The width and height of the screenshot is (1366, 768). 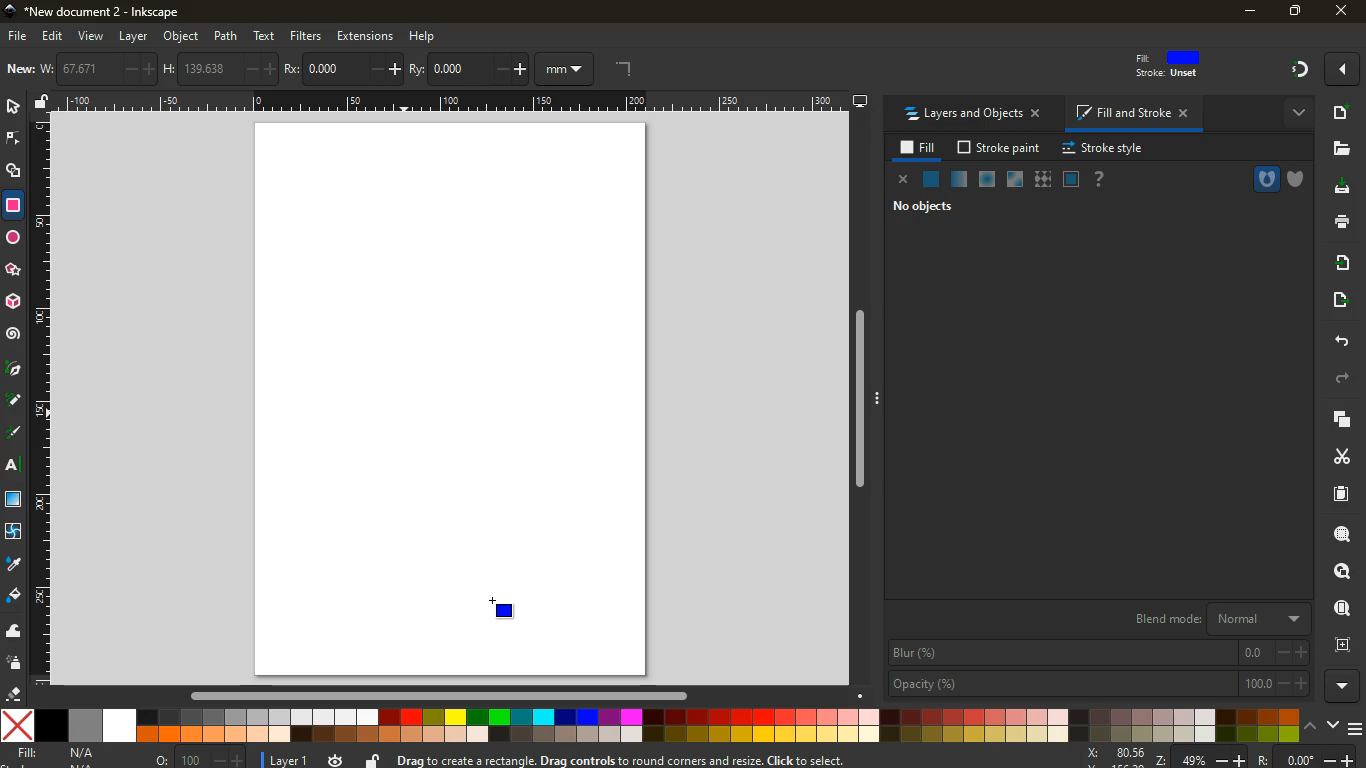 I want to click on rectangle tool, so click(x=15, y=208).